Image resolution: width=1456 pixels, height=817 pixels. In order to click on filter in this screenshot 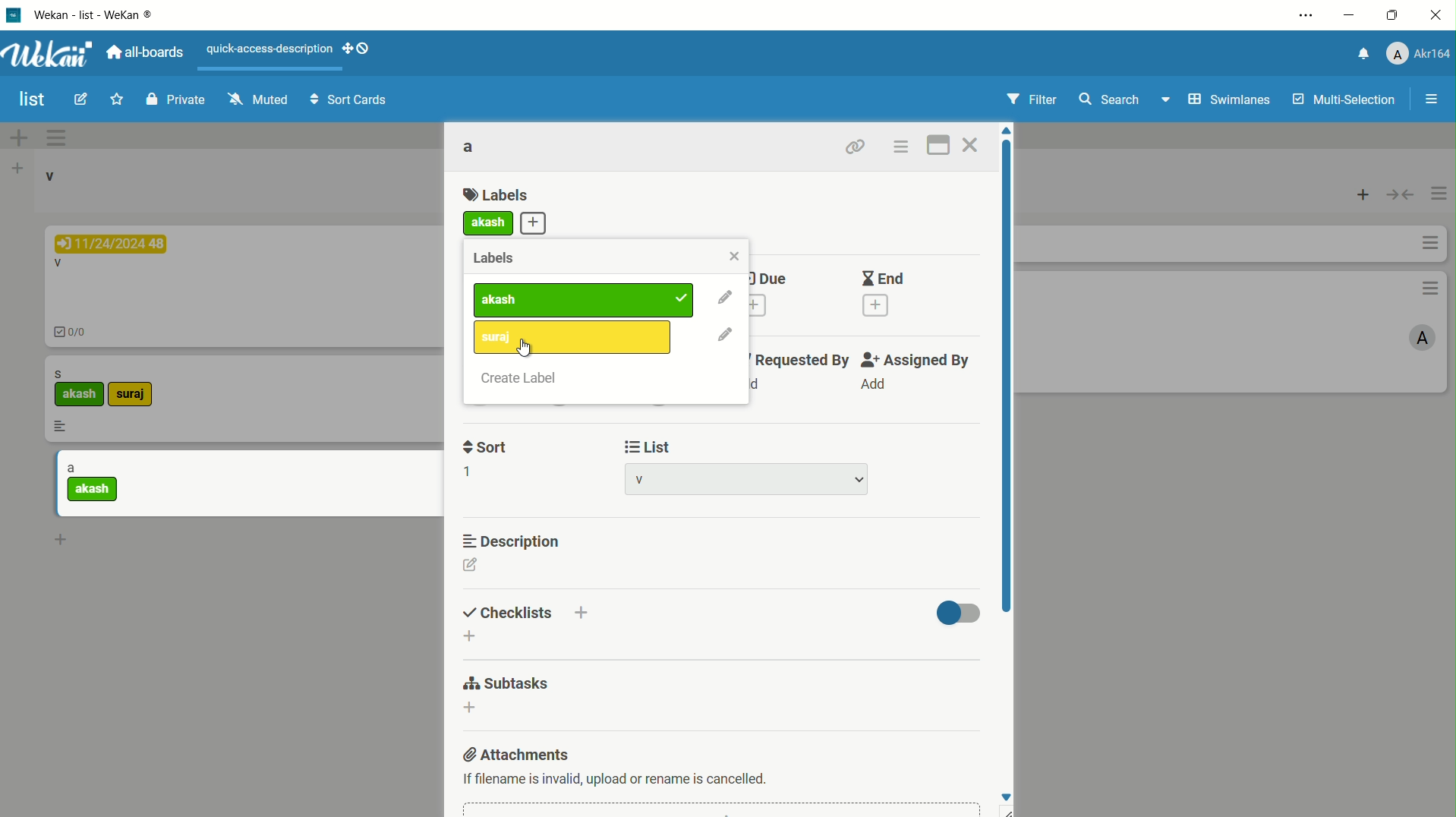, I will do `click(1029, 100)`.